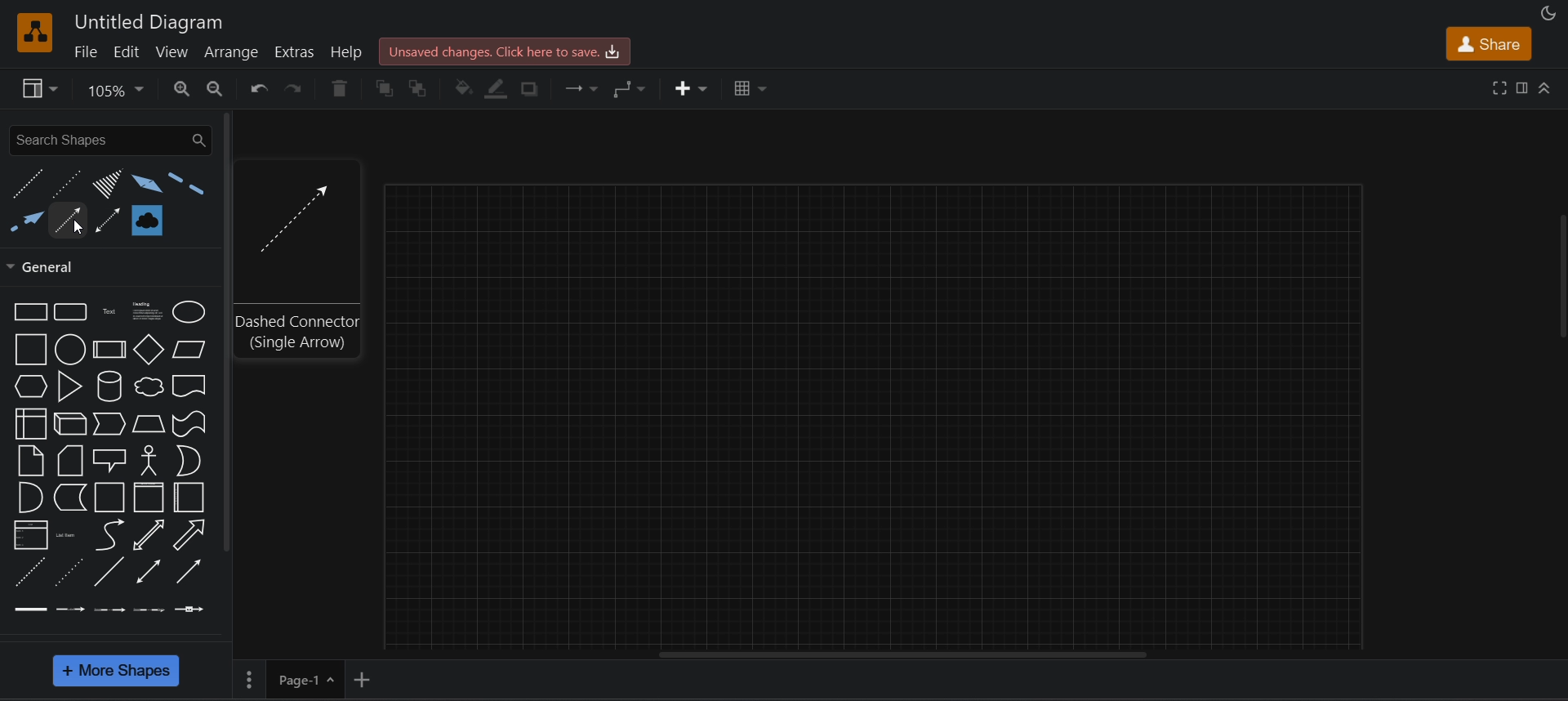 Image resolution: width=1568 pixels, height=701 pixels. I want to click on shadows, so click(535, 88).